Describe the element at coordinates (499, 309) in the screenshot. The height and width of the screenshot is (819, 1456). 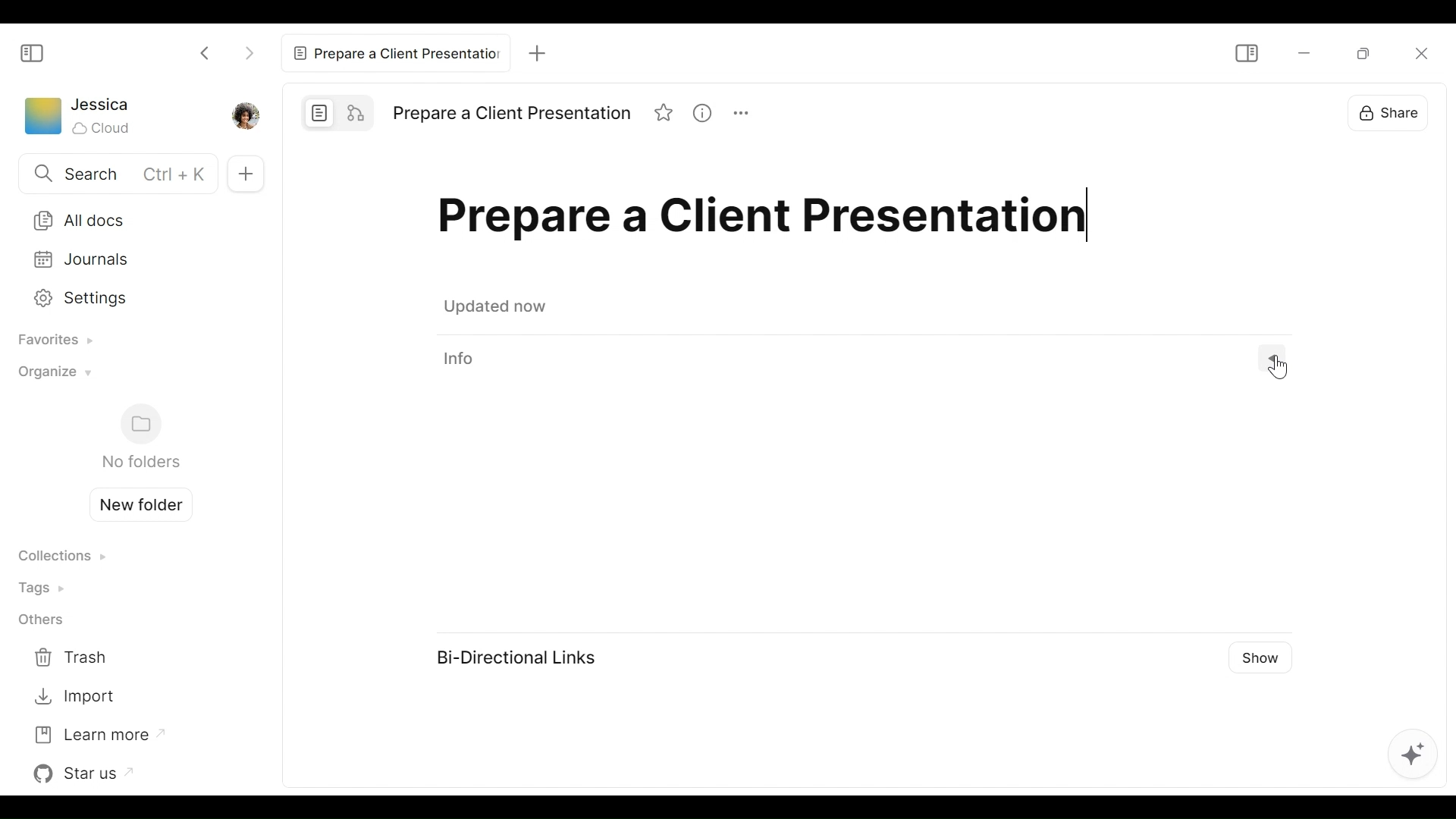
I see `Updated now` at that location.